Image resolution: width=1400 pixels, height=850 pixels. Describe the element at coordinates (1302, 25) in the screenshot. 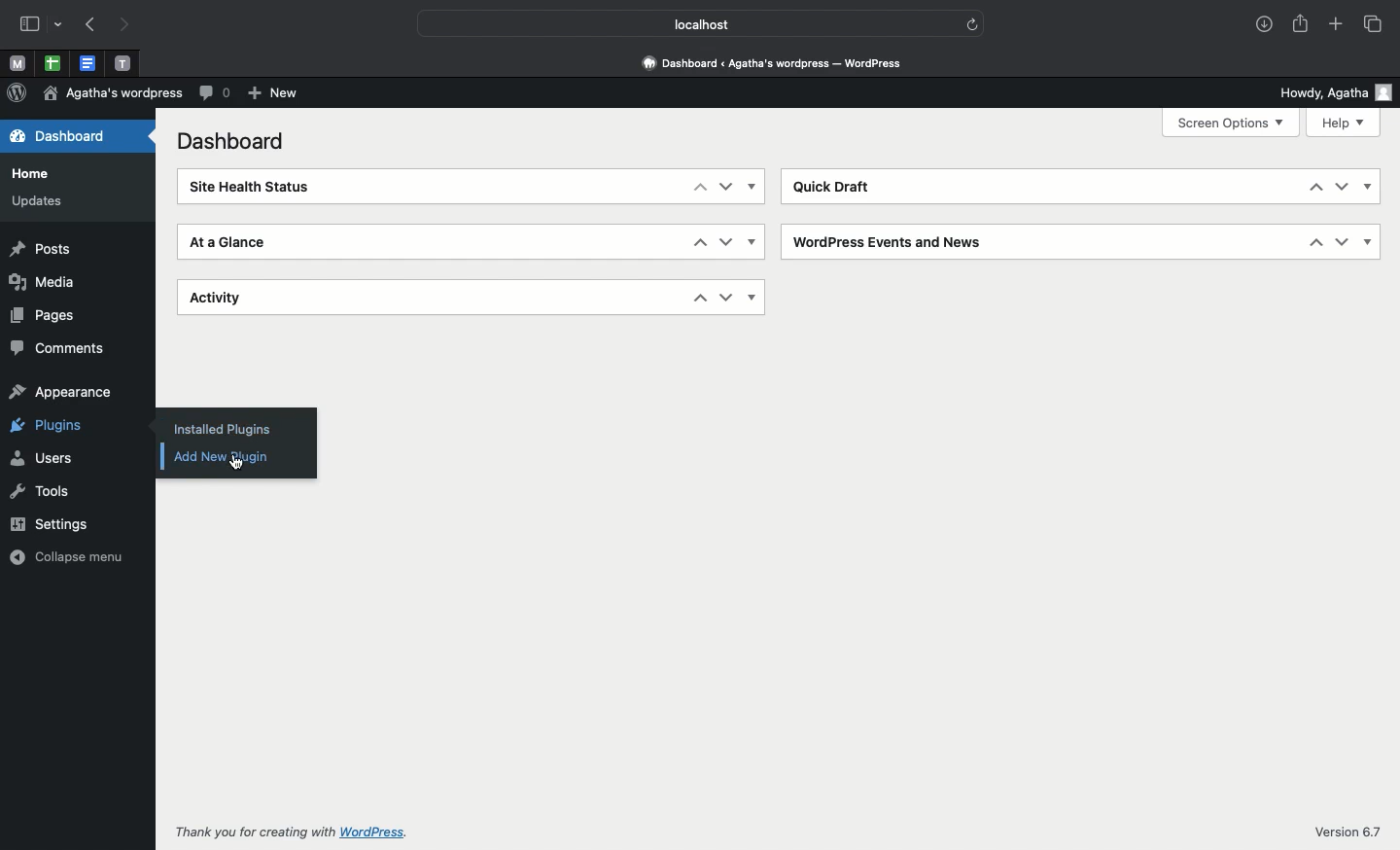

I see `Share` at that location.